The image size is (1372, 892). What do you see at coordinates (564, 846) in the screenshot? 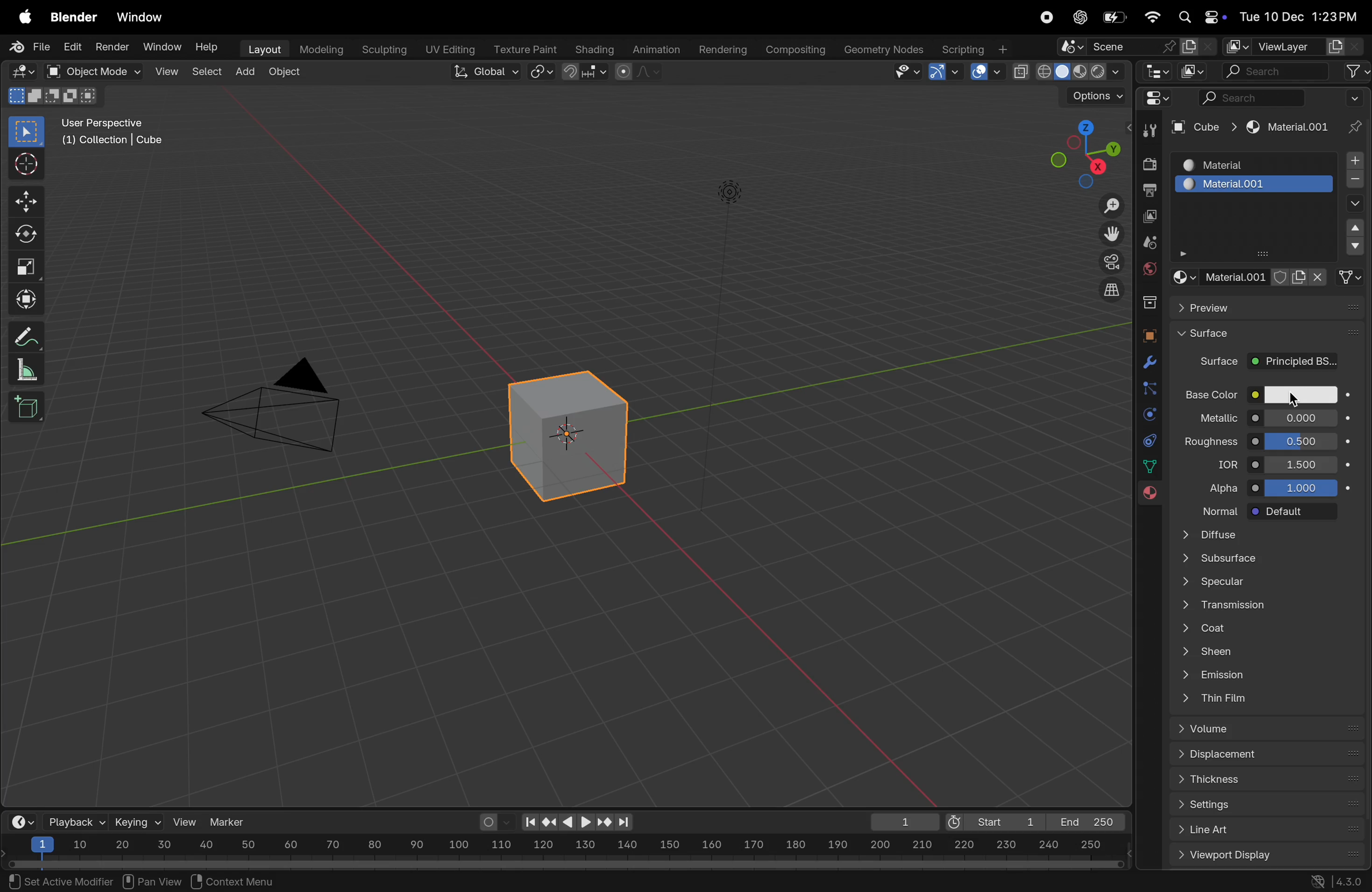
I see `scale` at bounding box center [564, 846].